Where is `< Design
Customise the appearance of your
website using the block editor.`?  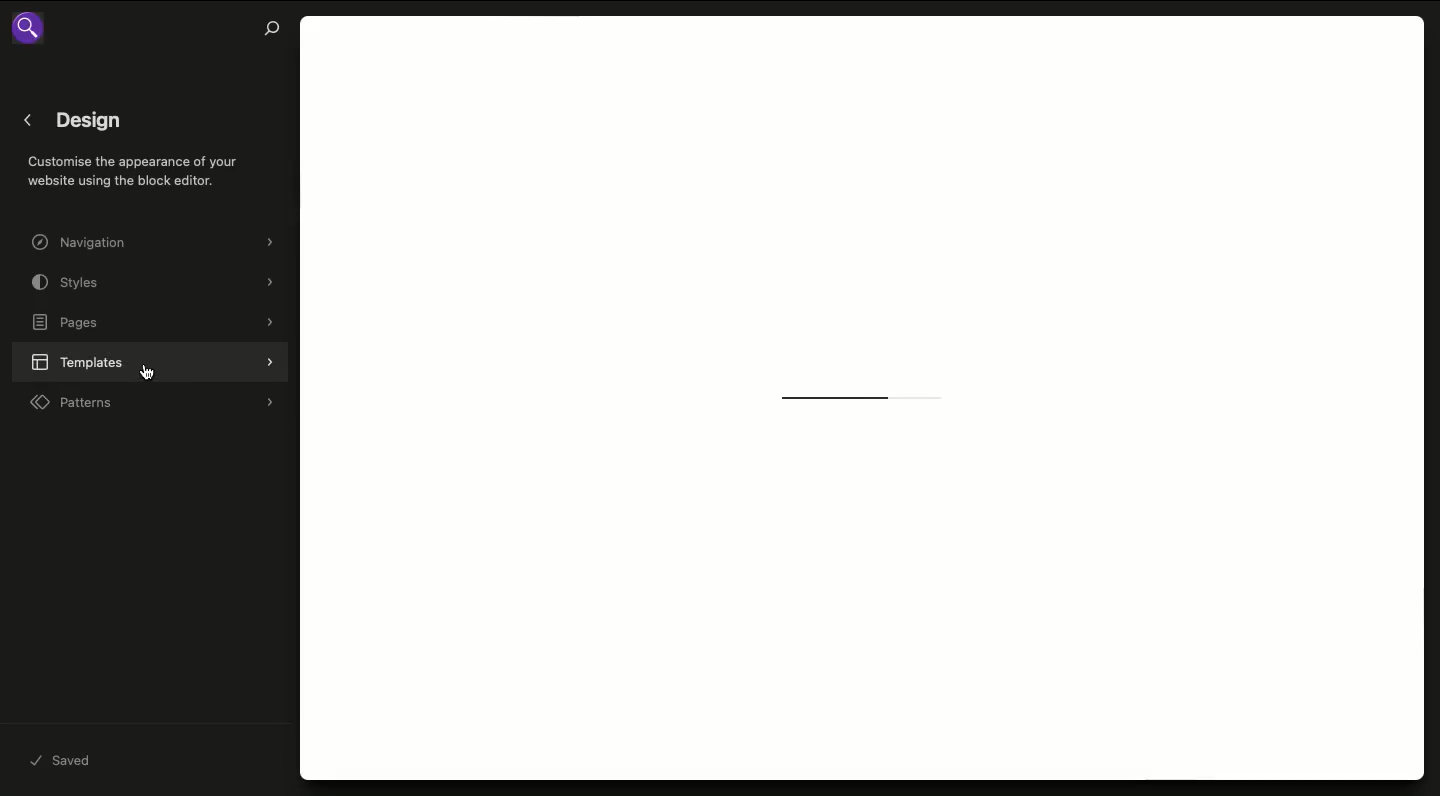 < Design
Customise the appearance of your
website using the block editor. is located at coordinates (139, 158).